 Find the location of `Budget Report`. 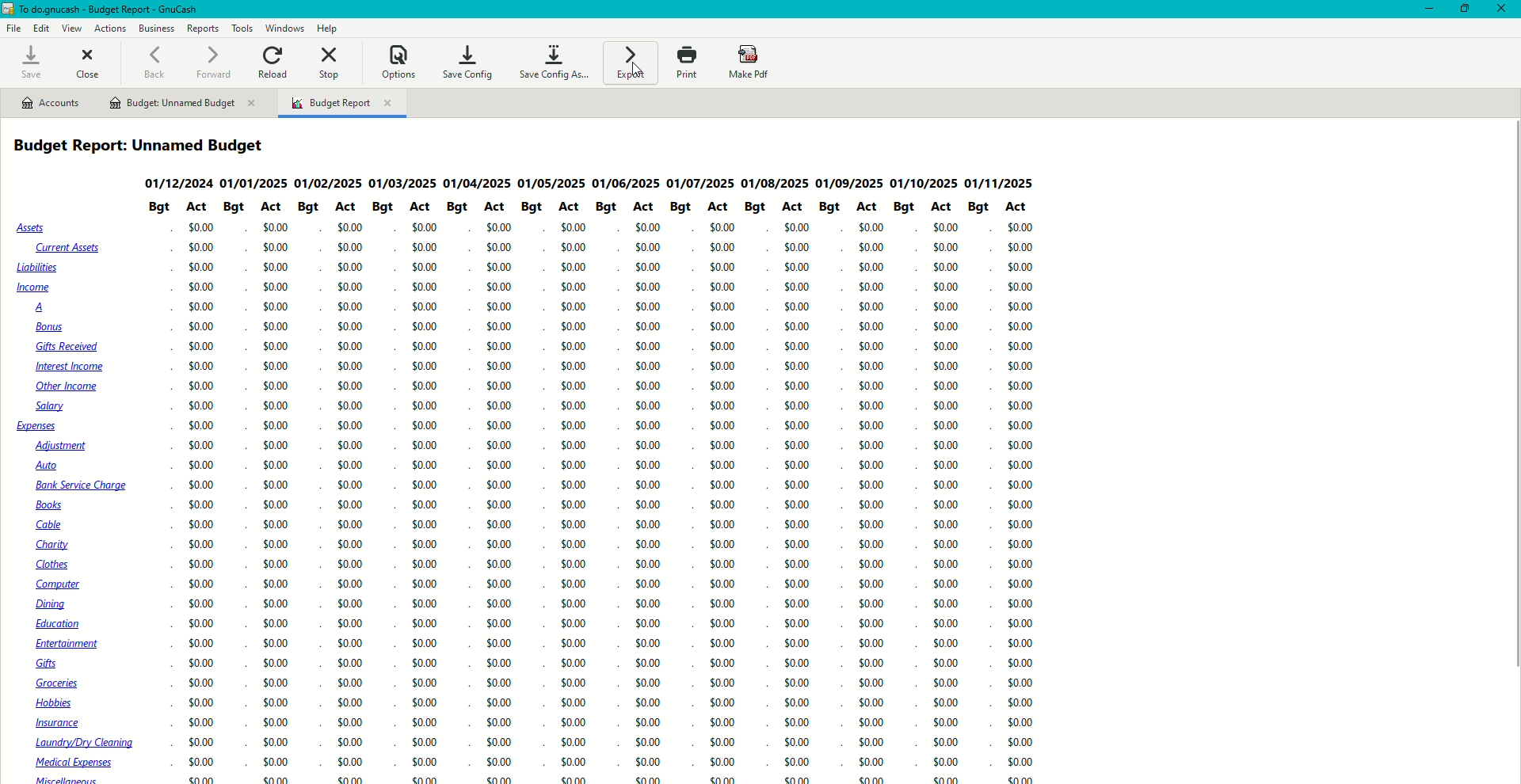

Budget Report is located at coordinates (342, 105).